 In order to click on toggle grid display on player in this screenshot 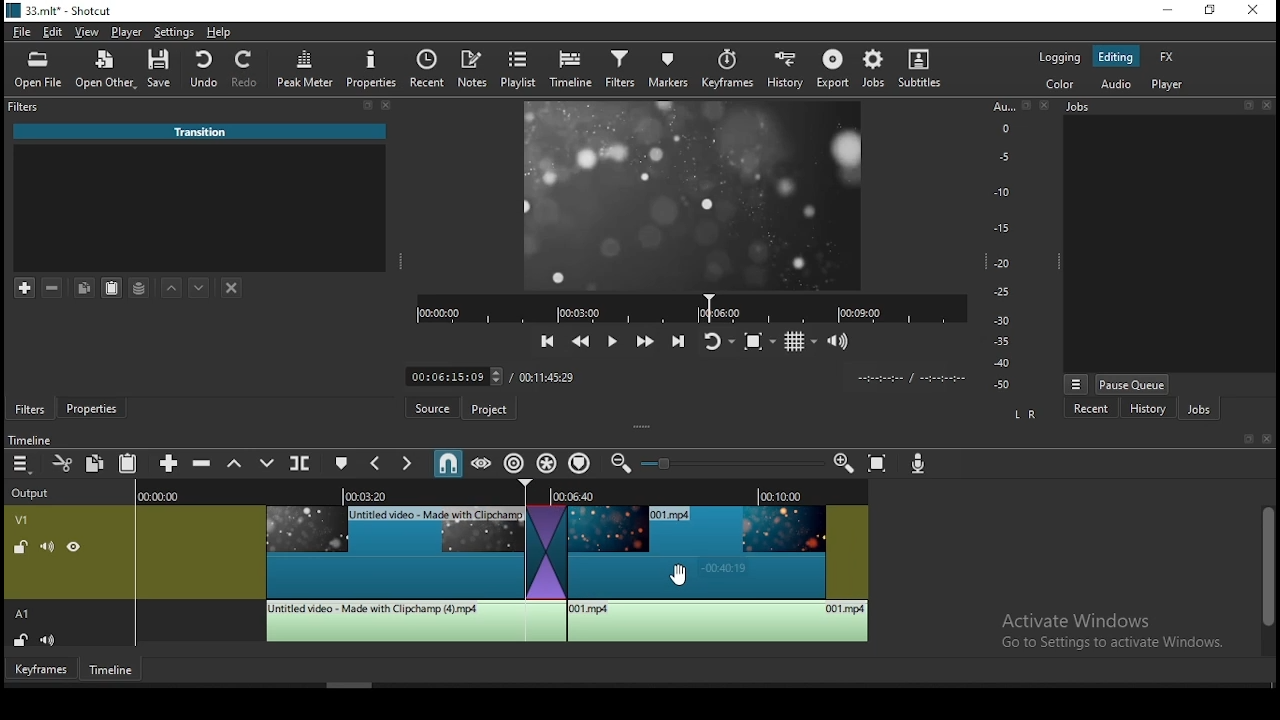, I will do `click(802, 339)`.